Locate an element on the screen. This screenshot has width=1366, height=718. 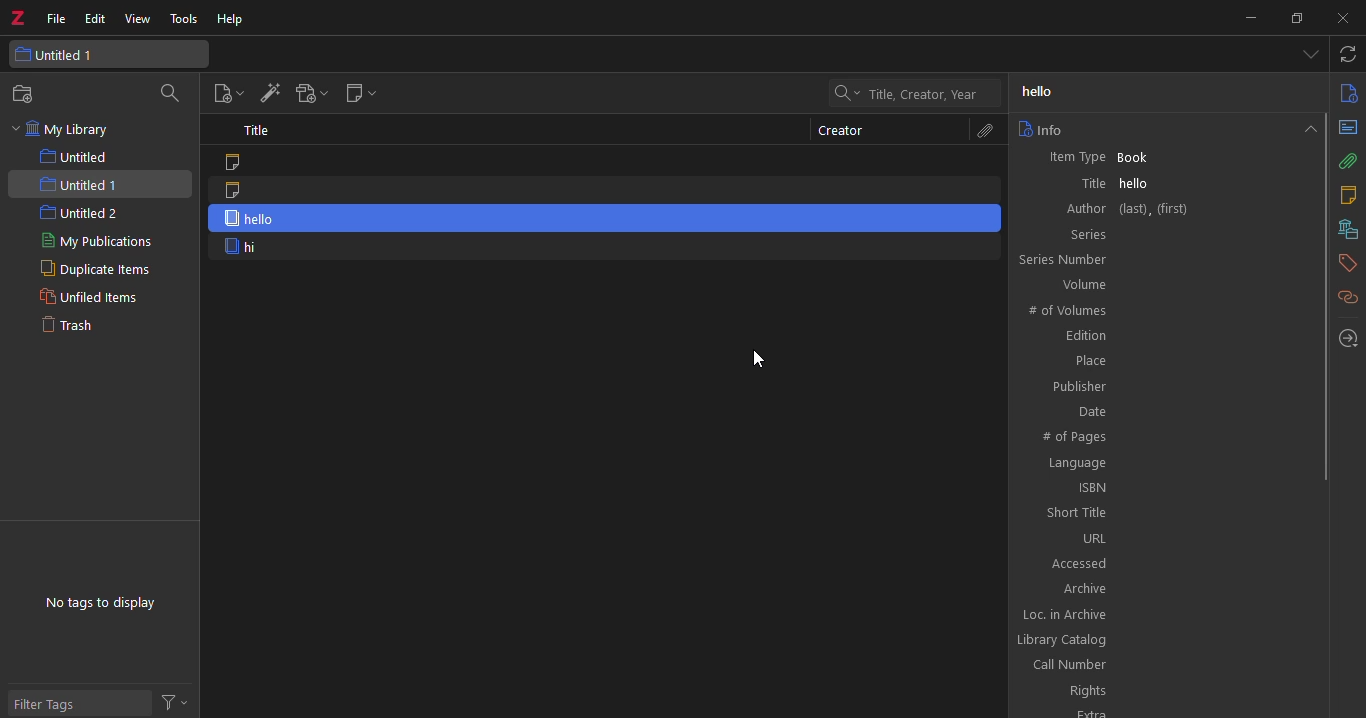
maximize is located at coordinates (1295, 19).